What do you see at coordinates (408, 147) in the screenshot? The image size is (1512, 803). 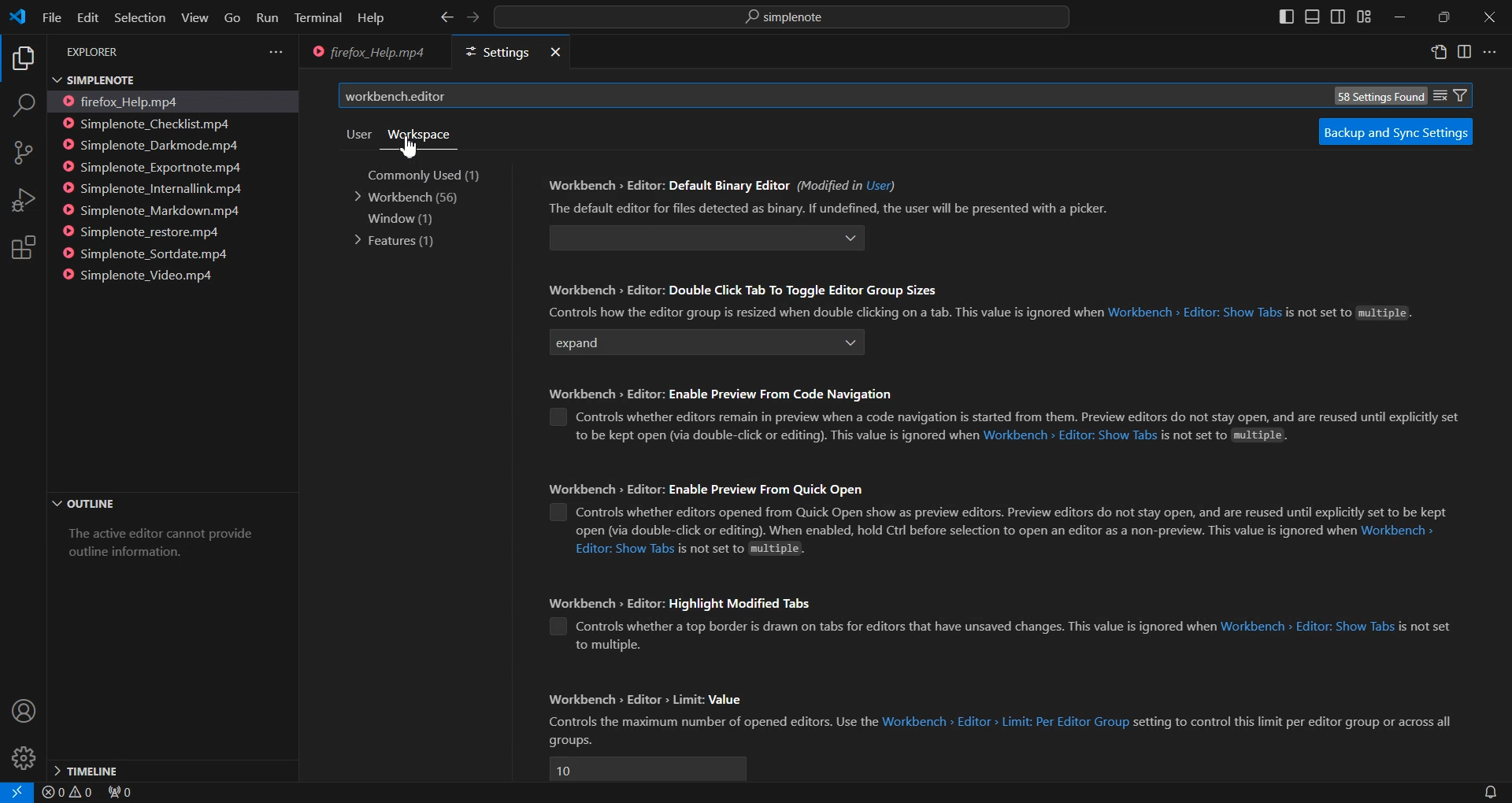 I see `Cursor` at bounding box center [408, 147].